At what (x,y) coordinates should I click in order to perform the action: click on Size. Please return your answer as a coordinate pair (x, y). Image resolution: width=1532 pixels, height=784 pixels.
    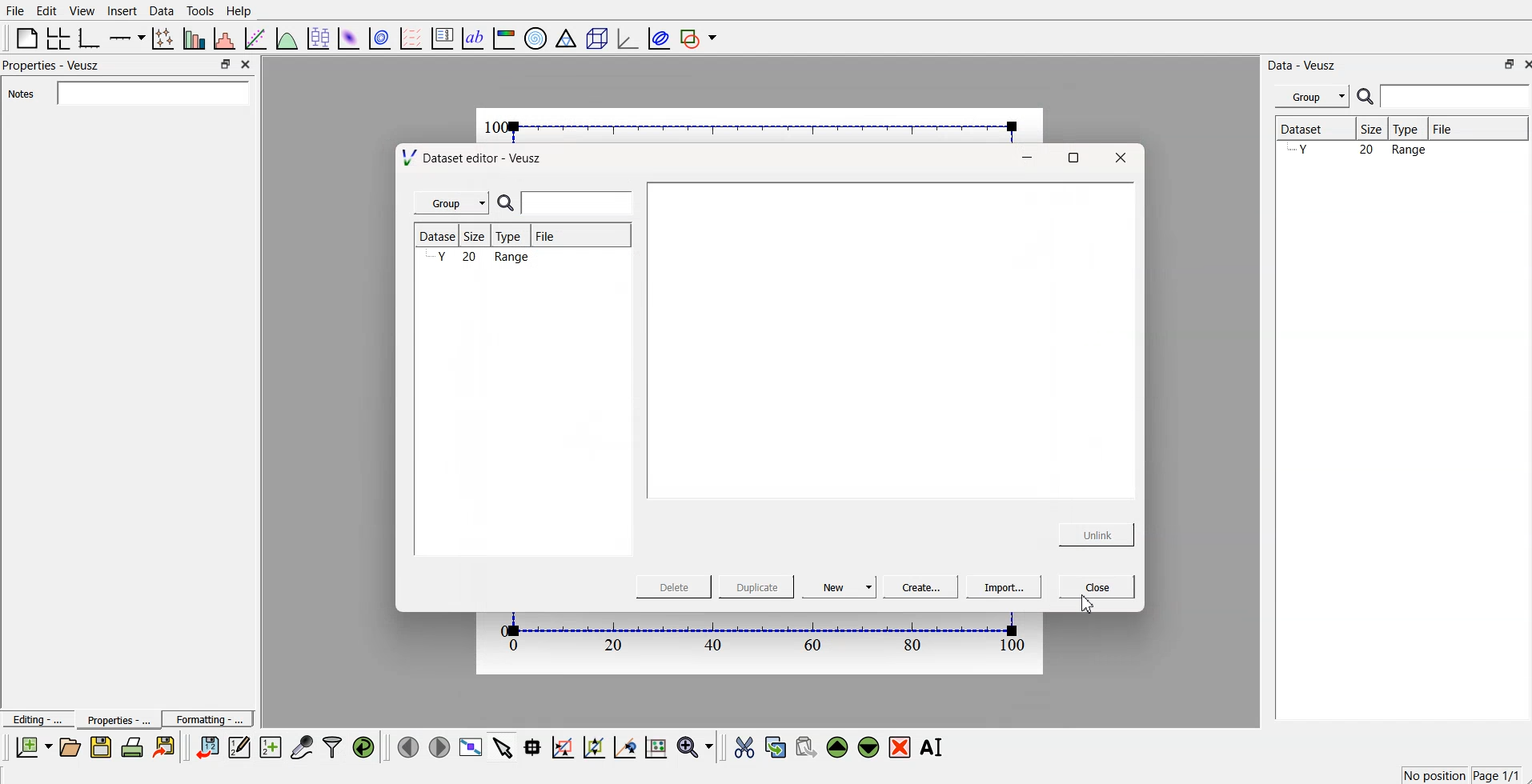
    Looking at the image, I should click on (1374, 129).